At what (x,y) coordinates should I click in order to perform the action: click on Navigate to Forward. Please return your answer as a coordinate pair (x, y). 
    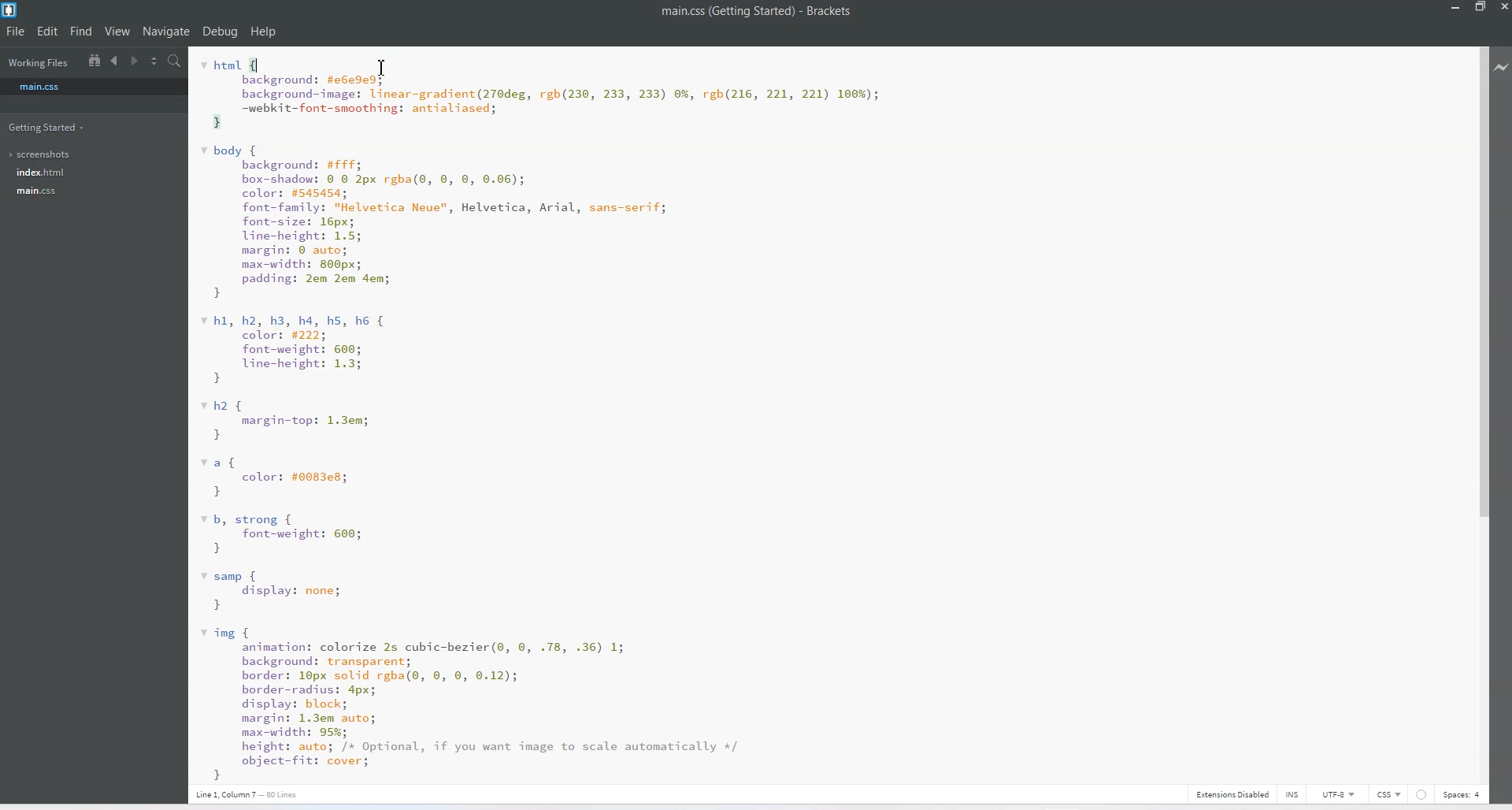
    Looking at the image, I should click on (136, 61).